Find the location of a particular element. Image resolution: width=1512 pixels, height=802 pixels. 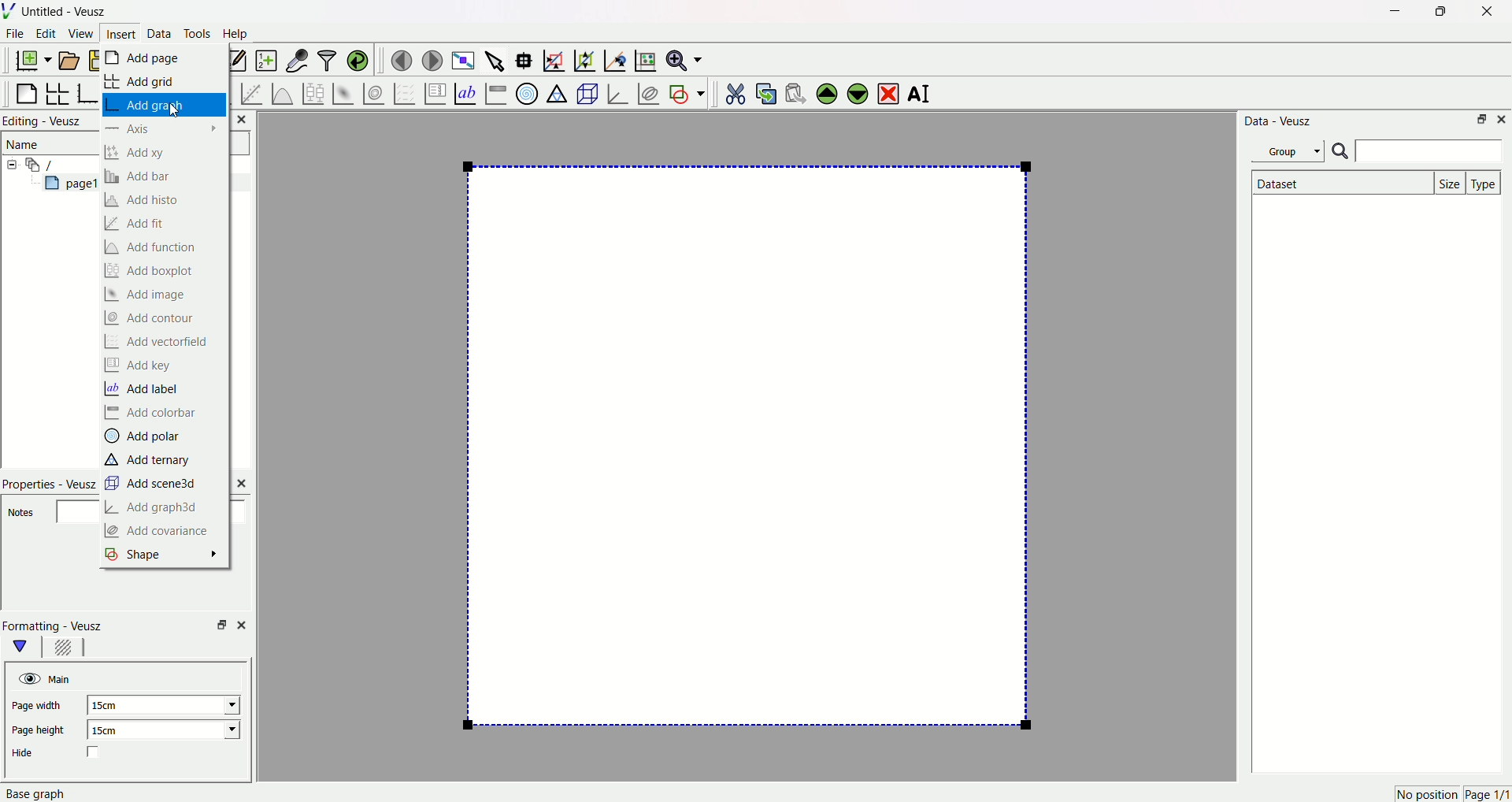

zoom the graph axes is located at coordinates (582, 58).